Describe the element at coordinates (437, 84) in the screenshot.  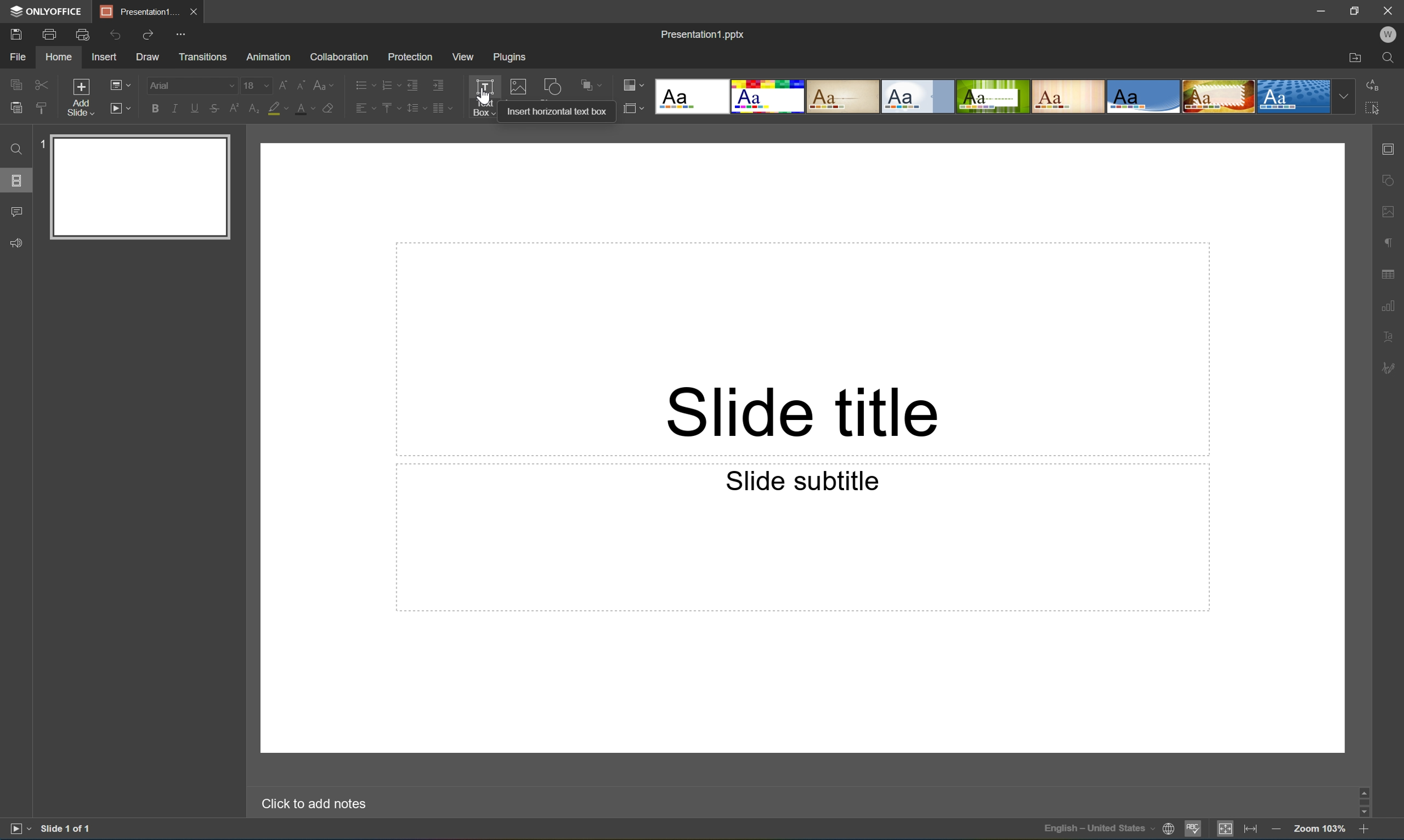
I see `Increase indent` at that location.